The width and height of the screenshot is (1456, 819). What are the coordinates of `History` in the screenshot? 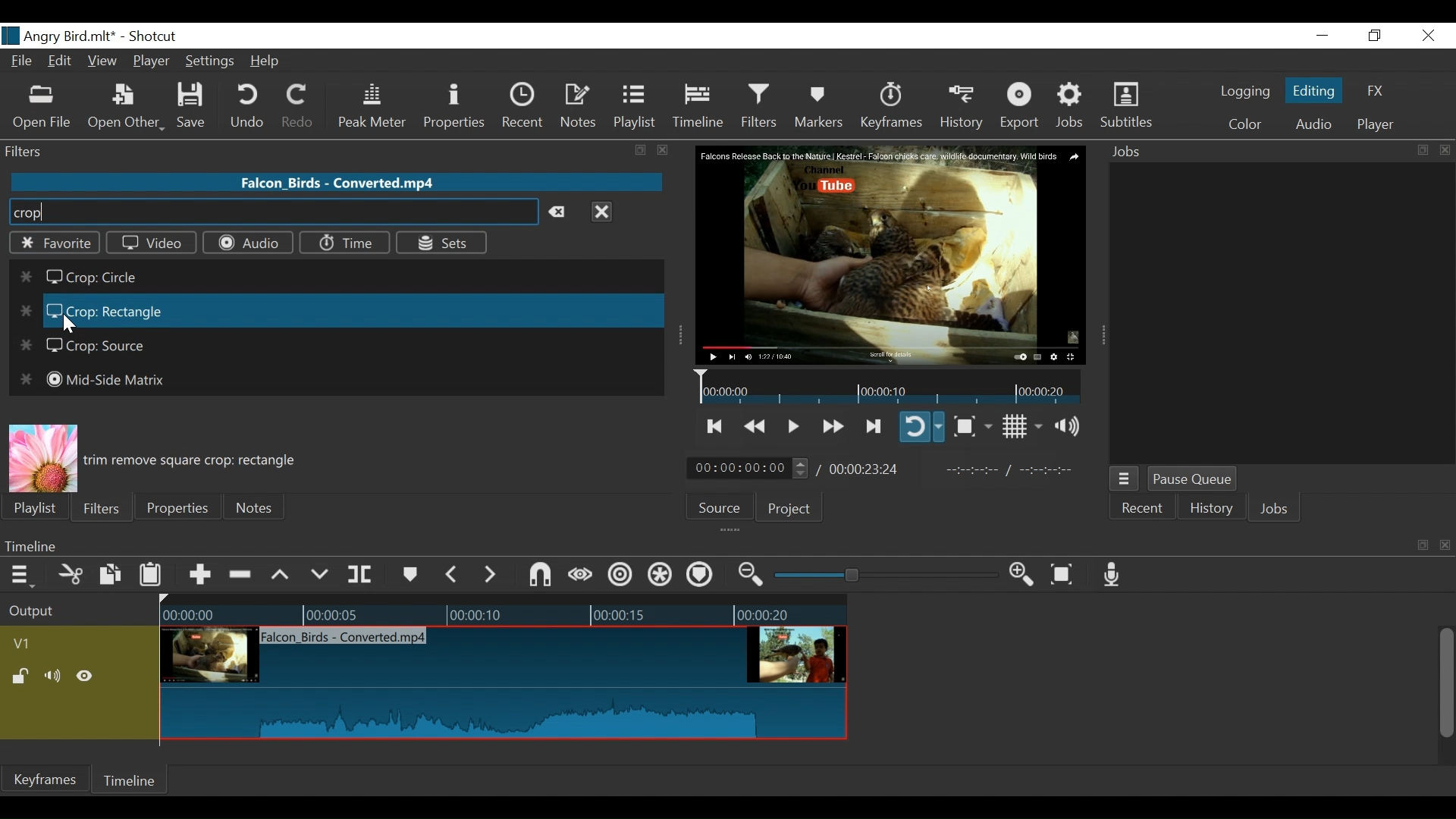 It's located at (962, 107).